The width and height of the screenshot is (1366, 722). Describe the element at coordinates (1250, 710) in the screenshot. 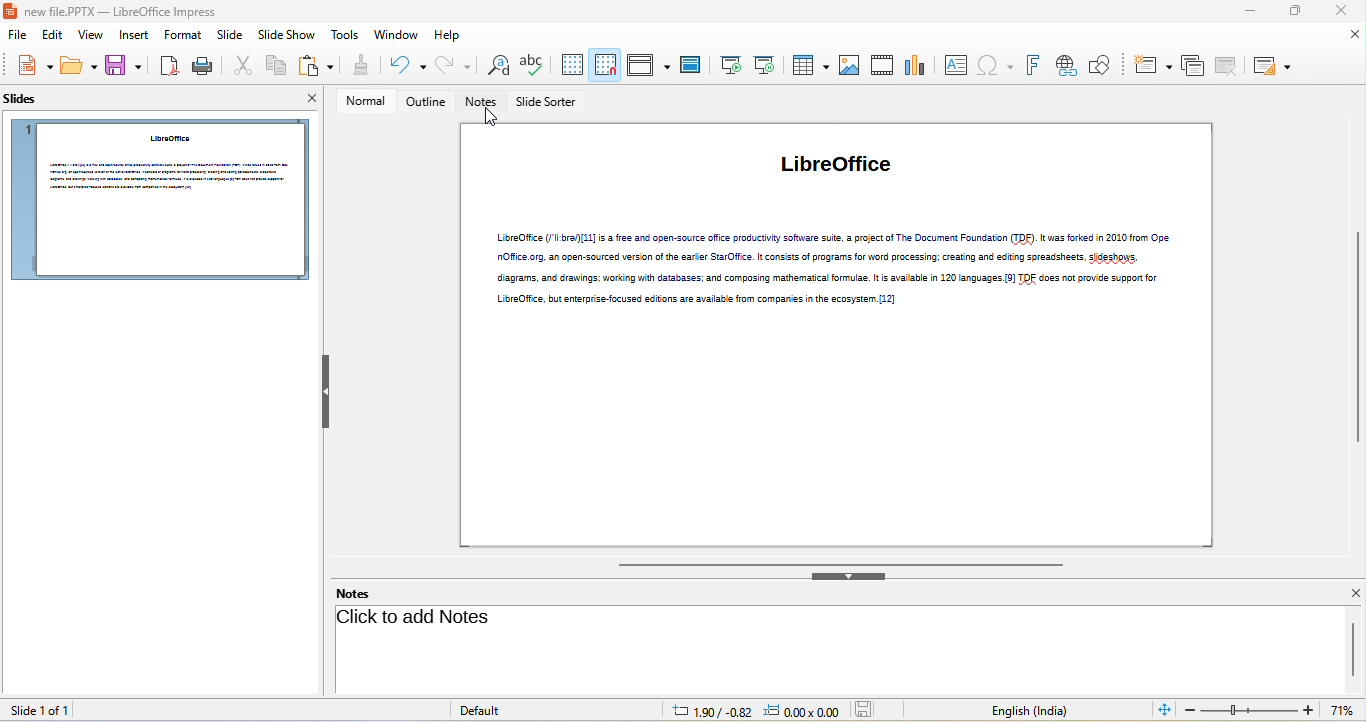

I see `zoom` at that location.